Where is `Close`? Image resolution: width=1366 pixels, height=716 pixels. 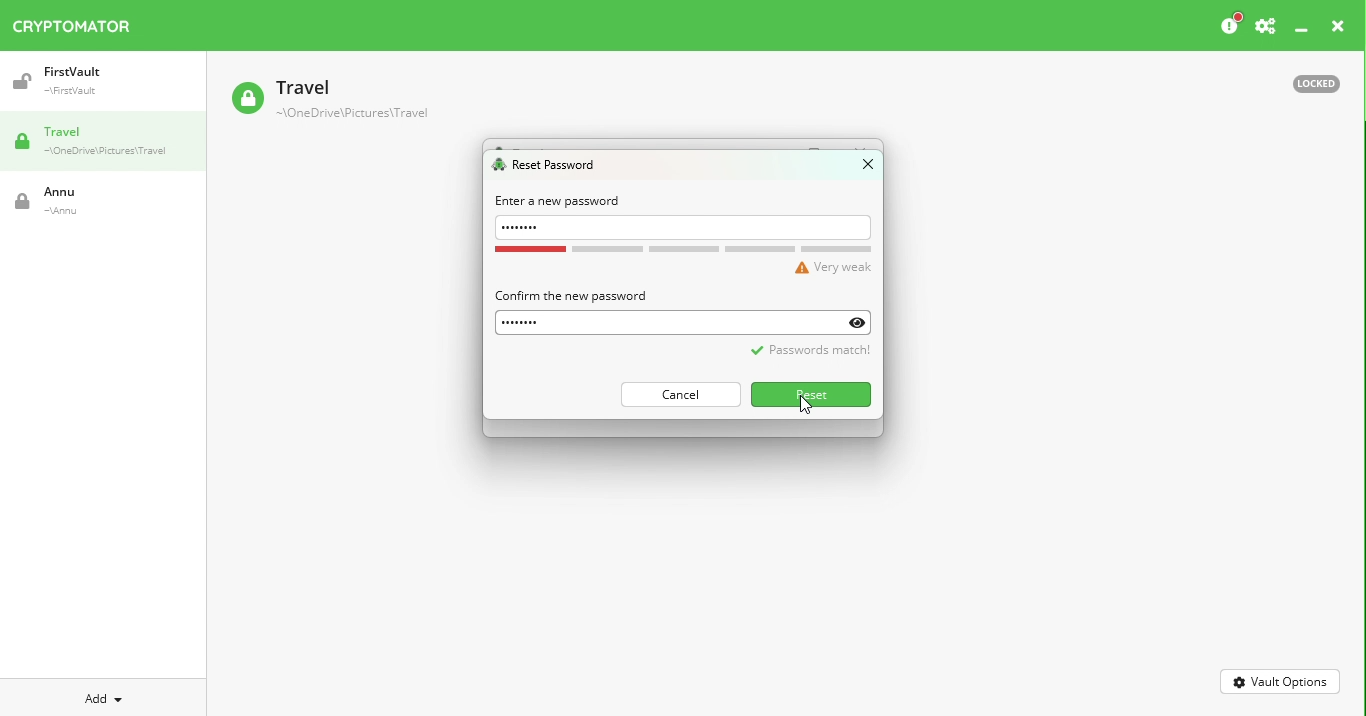
Close is located at coordinates (859, 168).